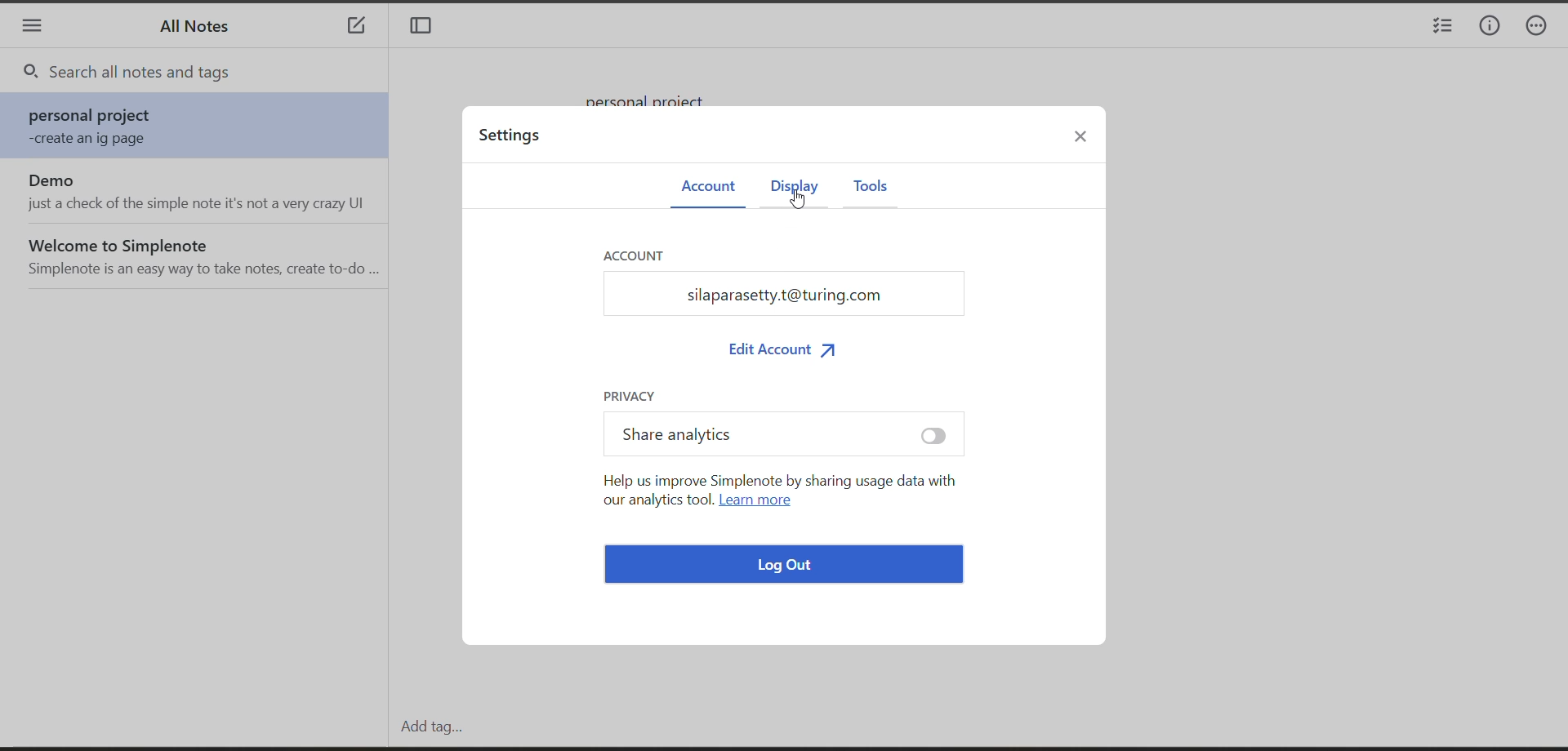 The height and width of the screenshot is (751, 1568). I want to click on account, so click(640, 256).